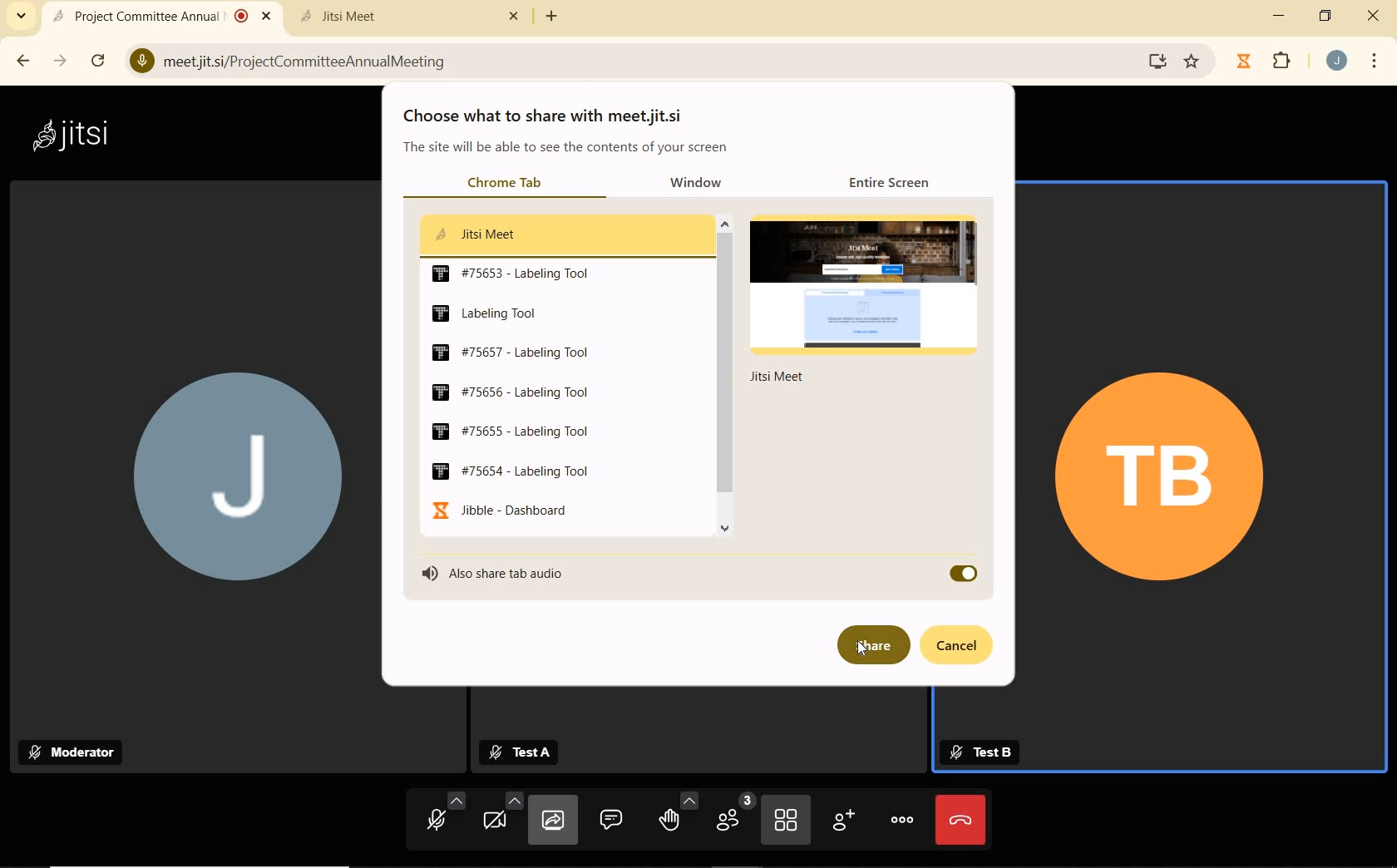 The width and height of the screenshot is (1397, 868). What do you see at coordinates (611, 818) in the screenshot?
I see `OPEN CHAT` at bounding box center [611, 818].